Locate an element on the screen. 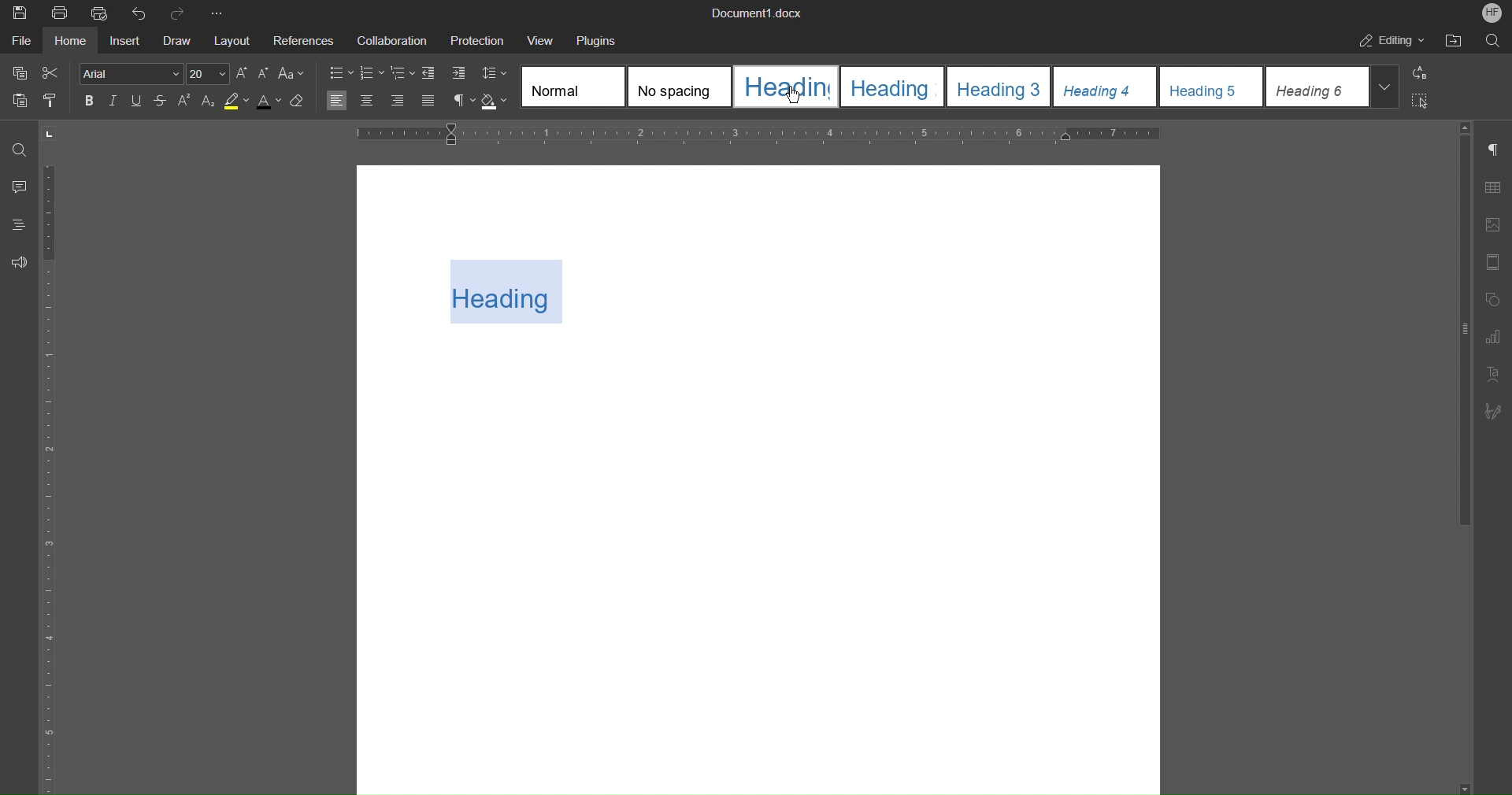 This screenshot has width=1512, height=795. References is located at coordinates (301, 40).